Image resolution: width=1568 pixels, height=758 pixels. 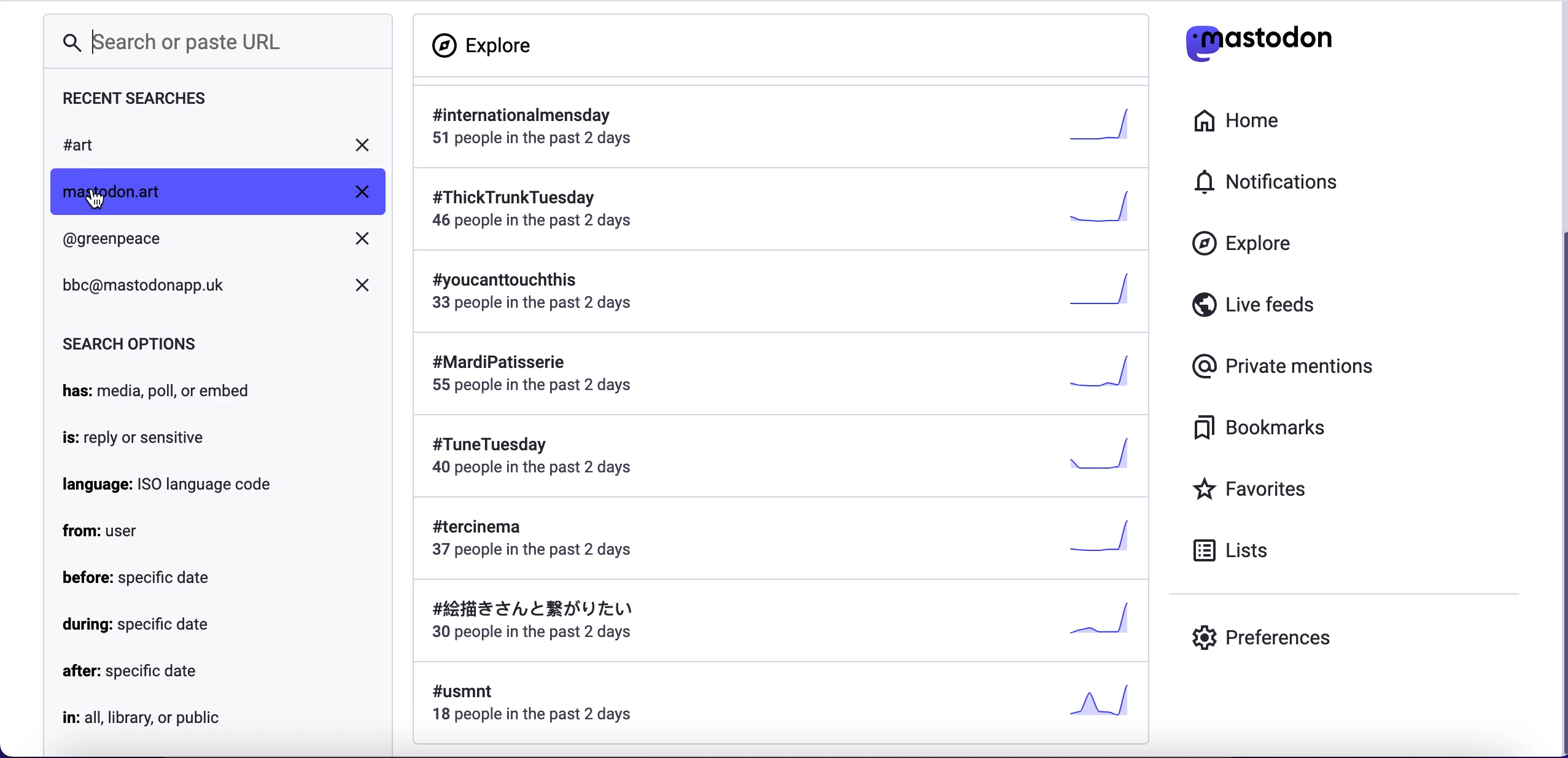 I want to click on in: all, library or public, so click(x=148, y=717).